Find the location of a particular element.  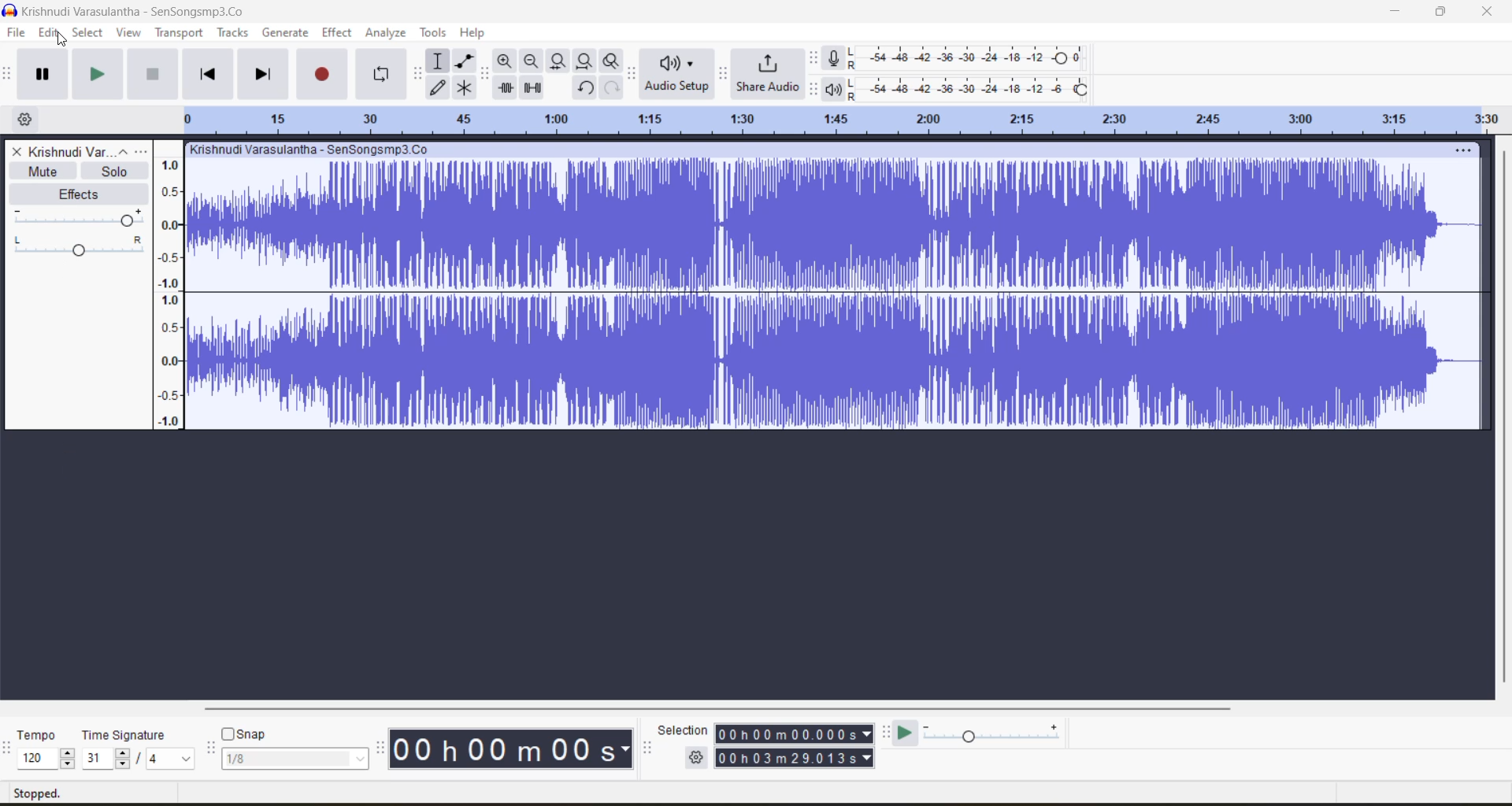

enable looping is located at coordinates (384, 75).